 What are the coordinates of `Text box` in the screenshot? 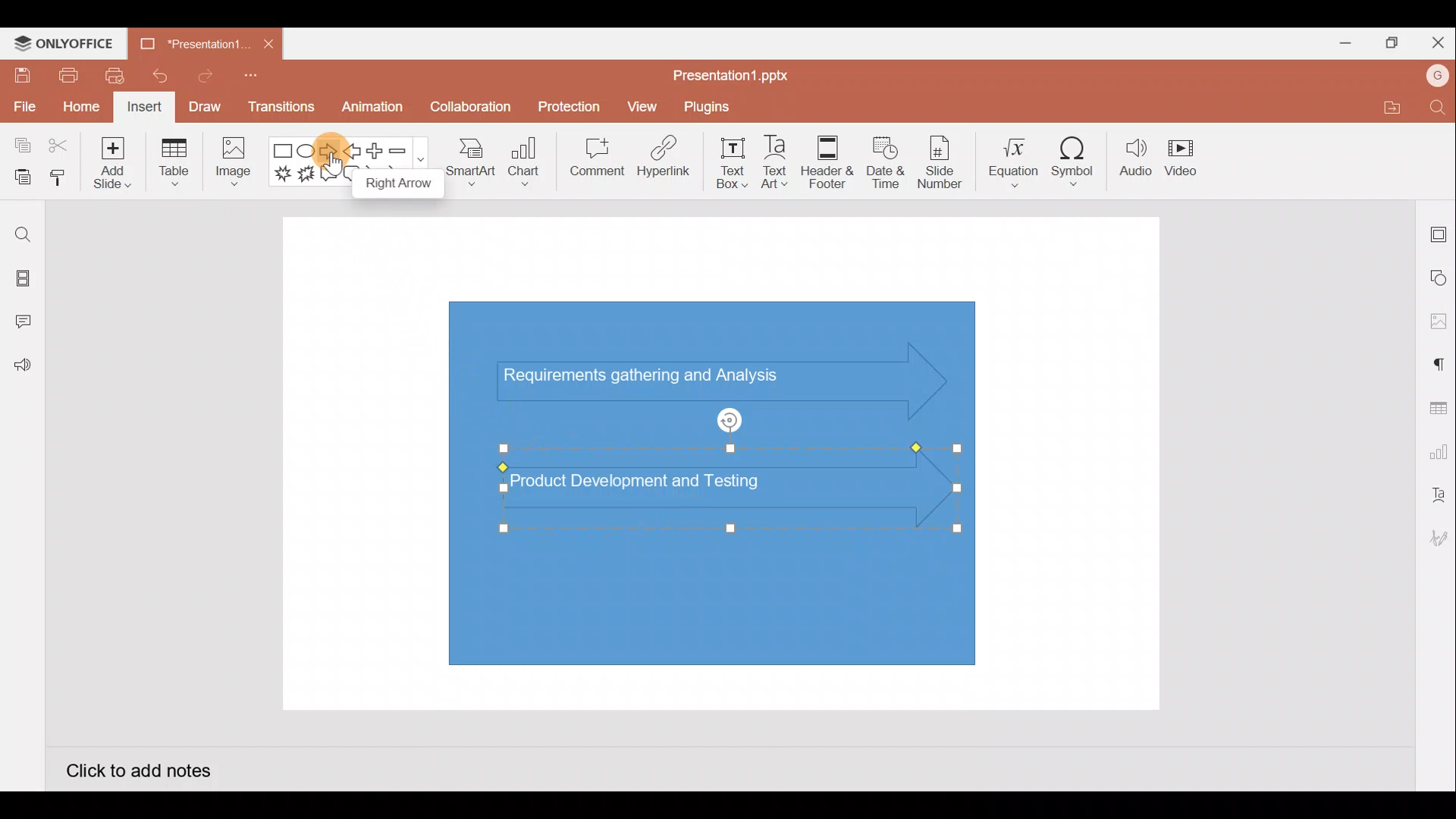 It's located at (733, 163).